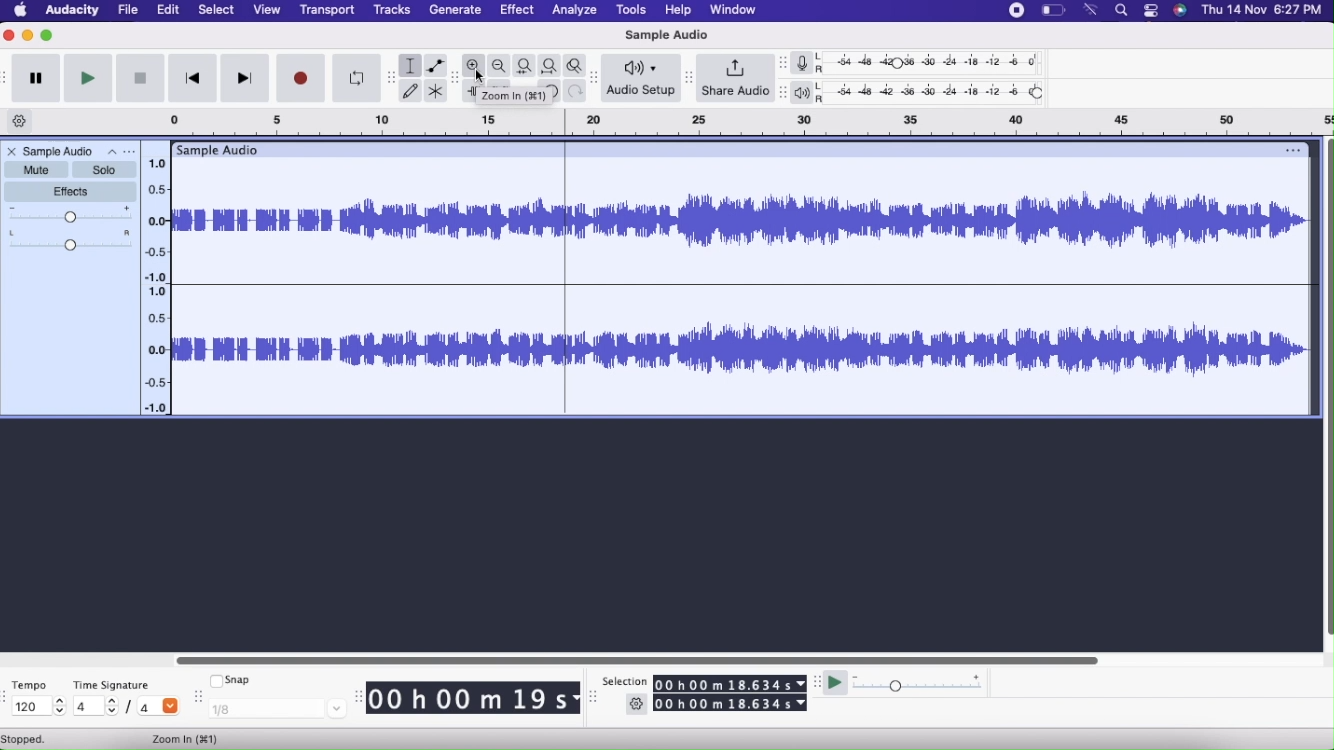 This screenshot has width=1334, height=750. What do you see at coordinates (193, 78) in the screenshot?
I see `Skip to start` at bounding box center [193, 78].